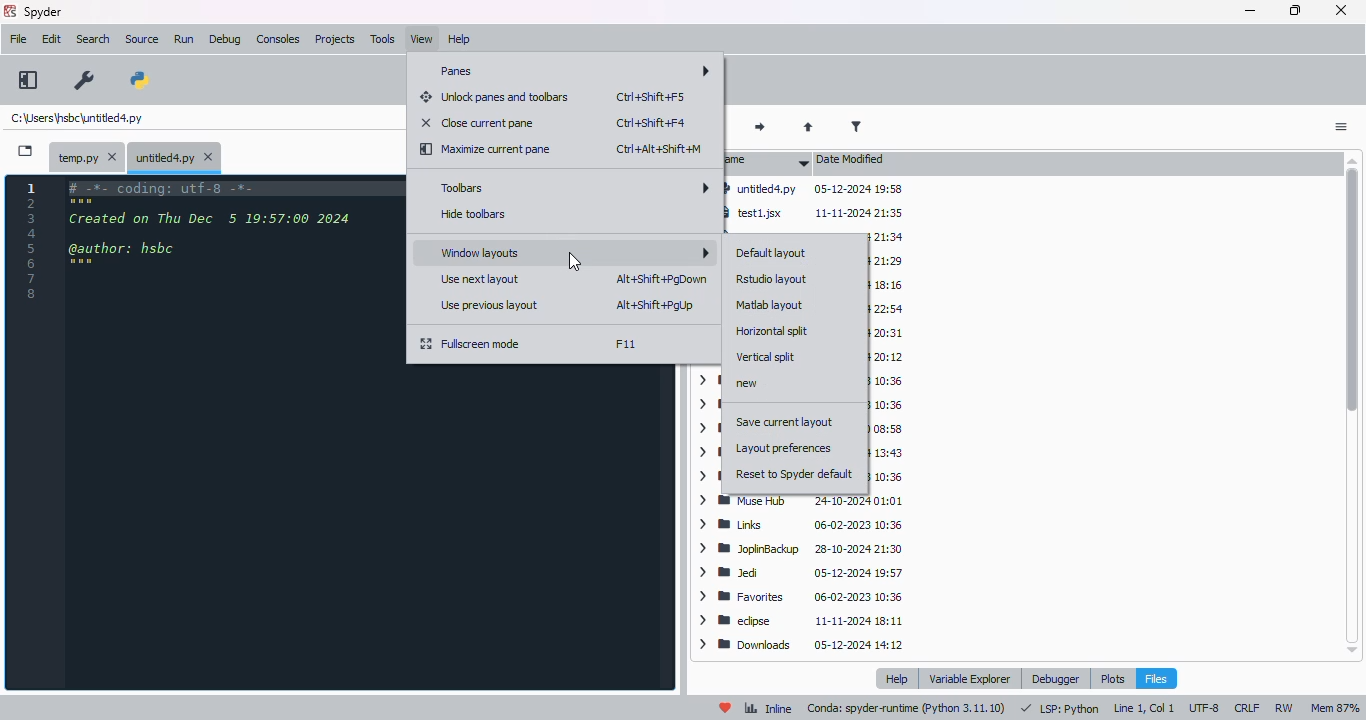 Image resolution: width=1366 pixels, height=720 pixels. Describe the element at coordinates (472, 344) in the screenshot. I see `fullscreen mode` at that location.